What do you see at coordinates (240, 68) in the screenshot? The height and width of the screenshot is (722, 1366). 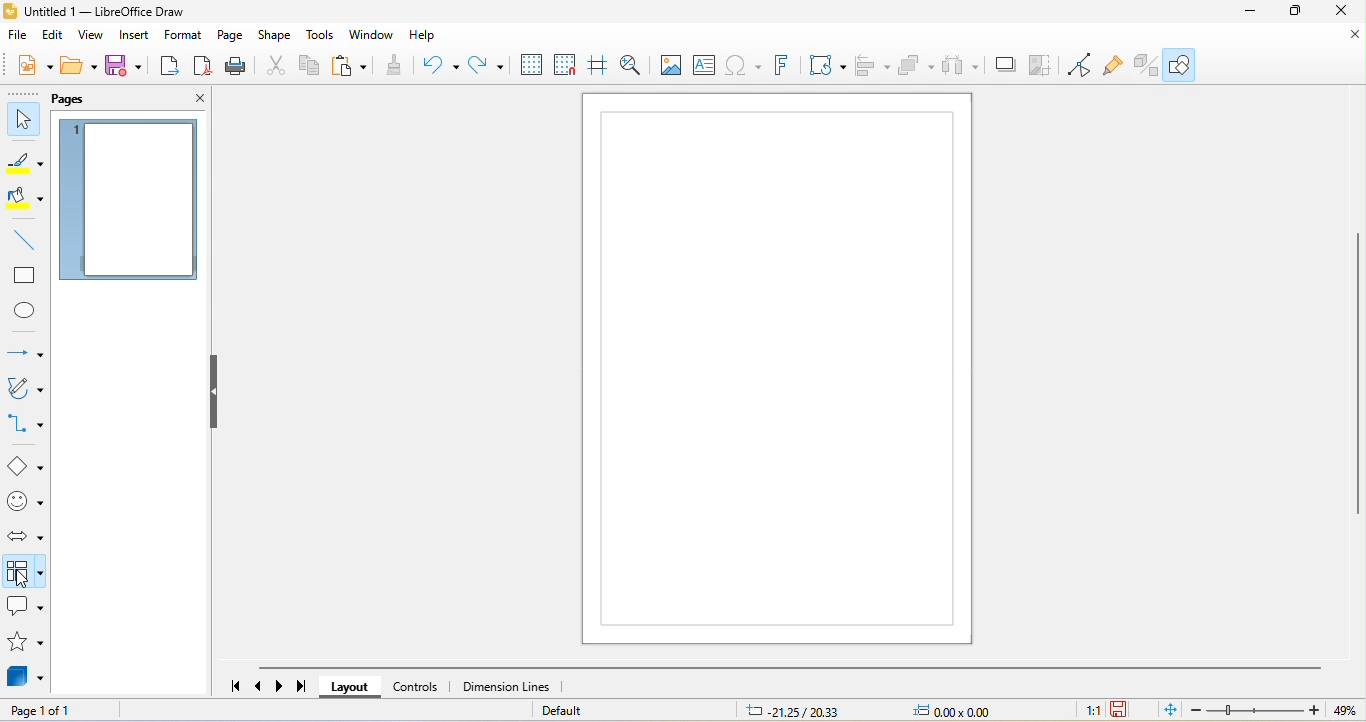 I see `print` at bounding box center [240, 68].